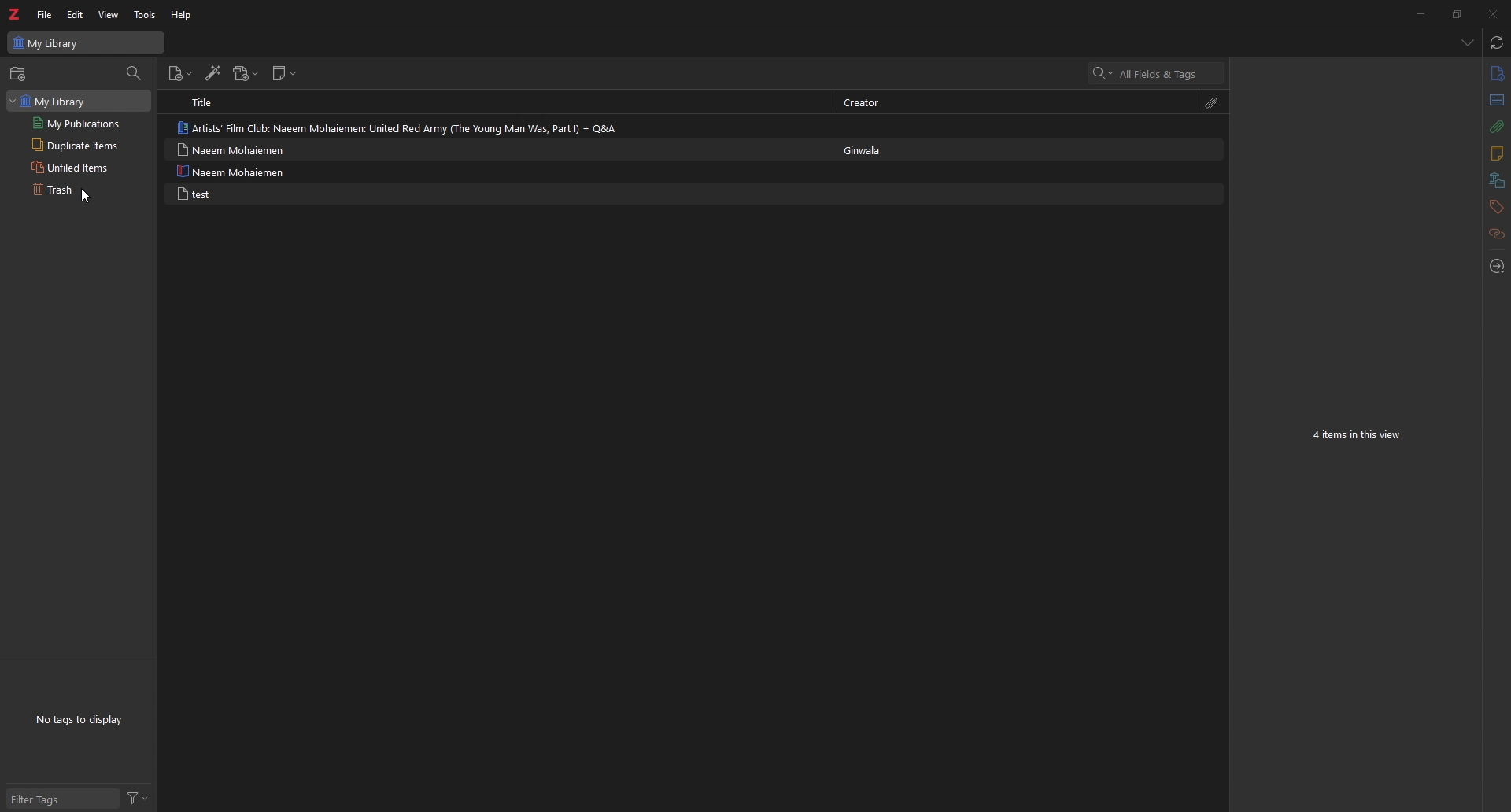  Describe the element at coordinates (143, 15) in the screenshot. I see `tools` at that location.